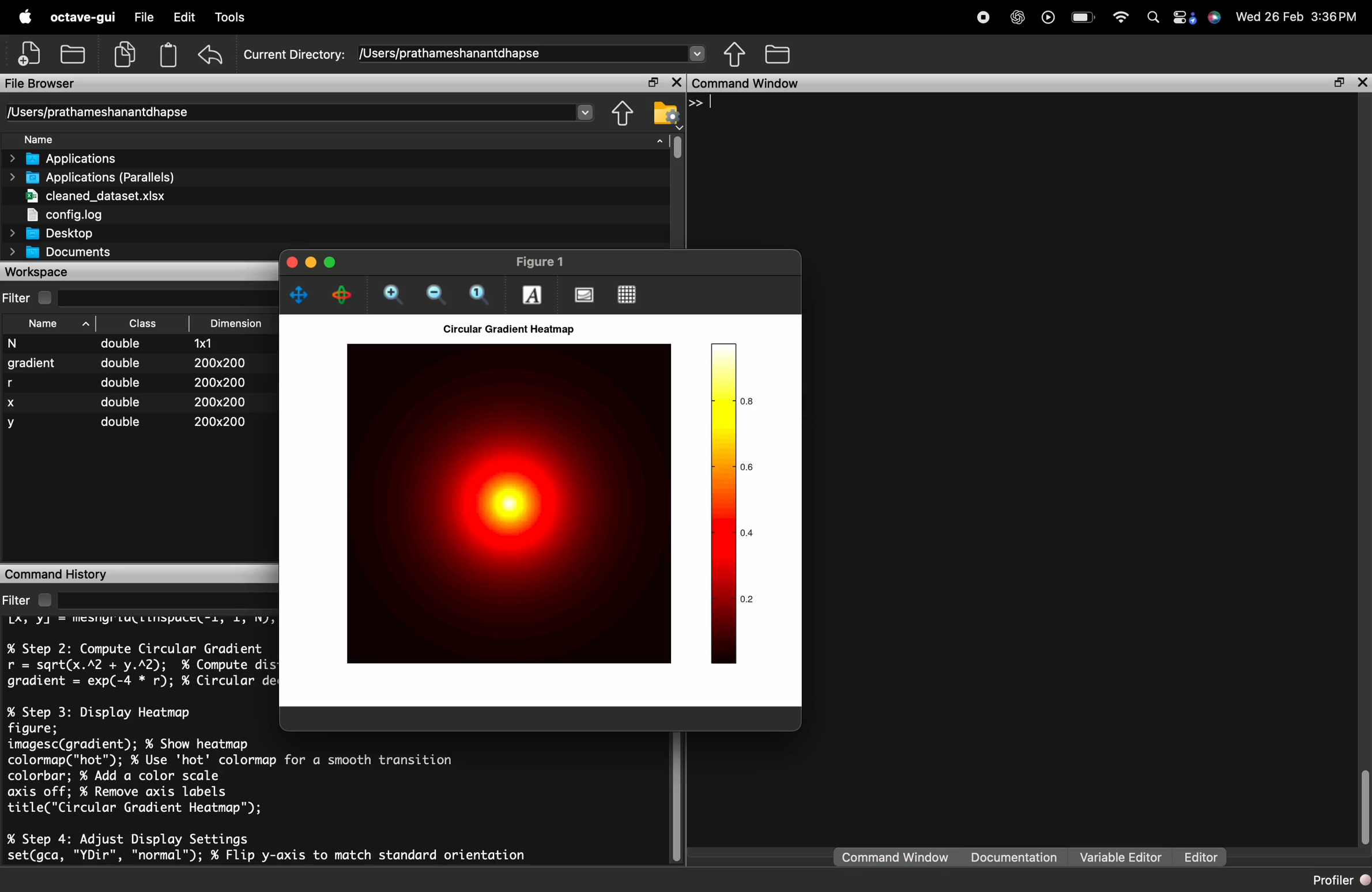 The image size is (1372, 892). I want to click on Image, so click(508, 504).